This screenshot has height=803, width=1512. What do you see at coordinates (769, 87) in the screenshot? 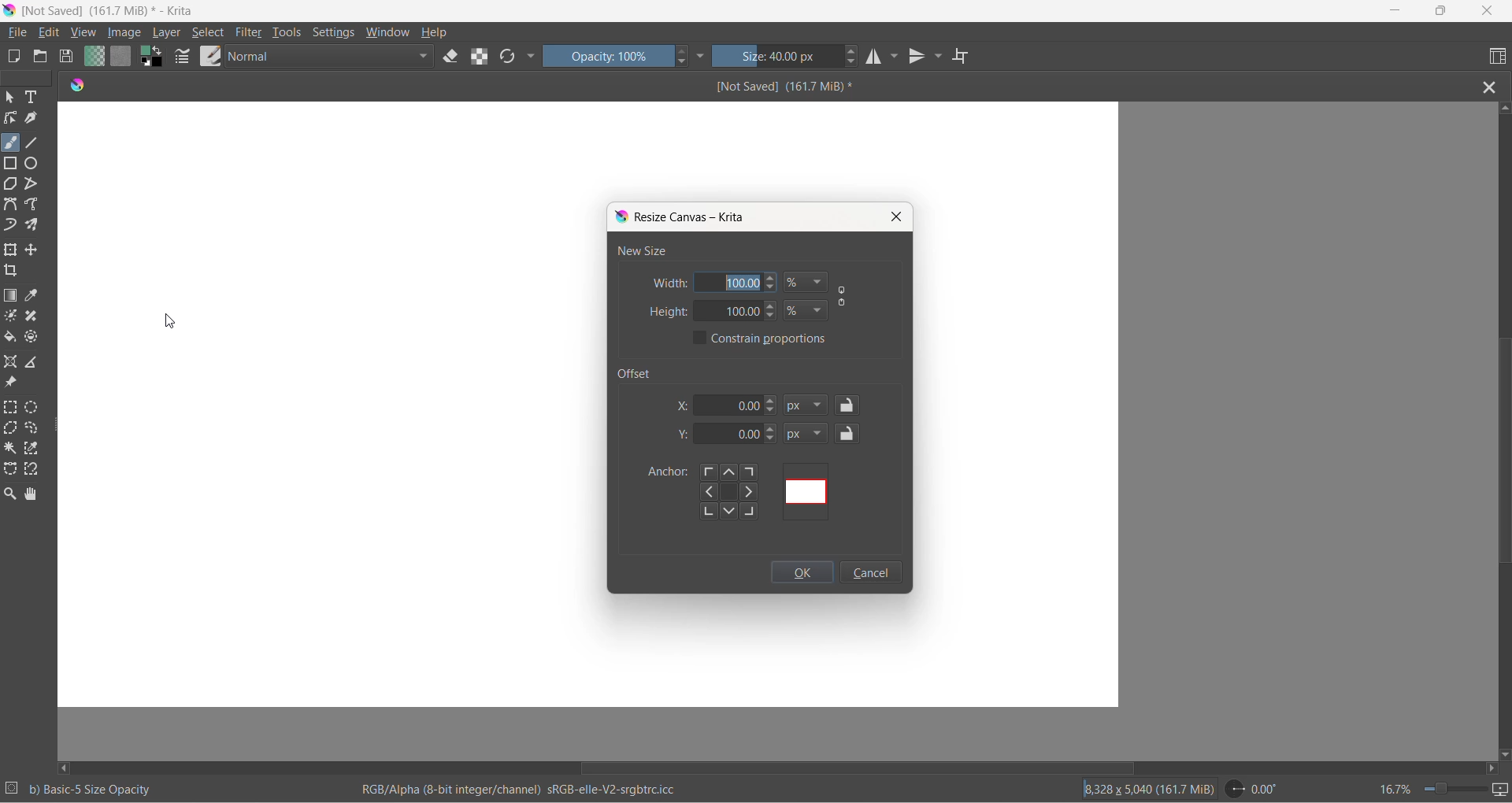
I see `file name and size` at bounding box center [769, 87].